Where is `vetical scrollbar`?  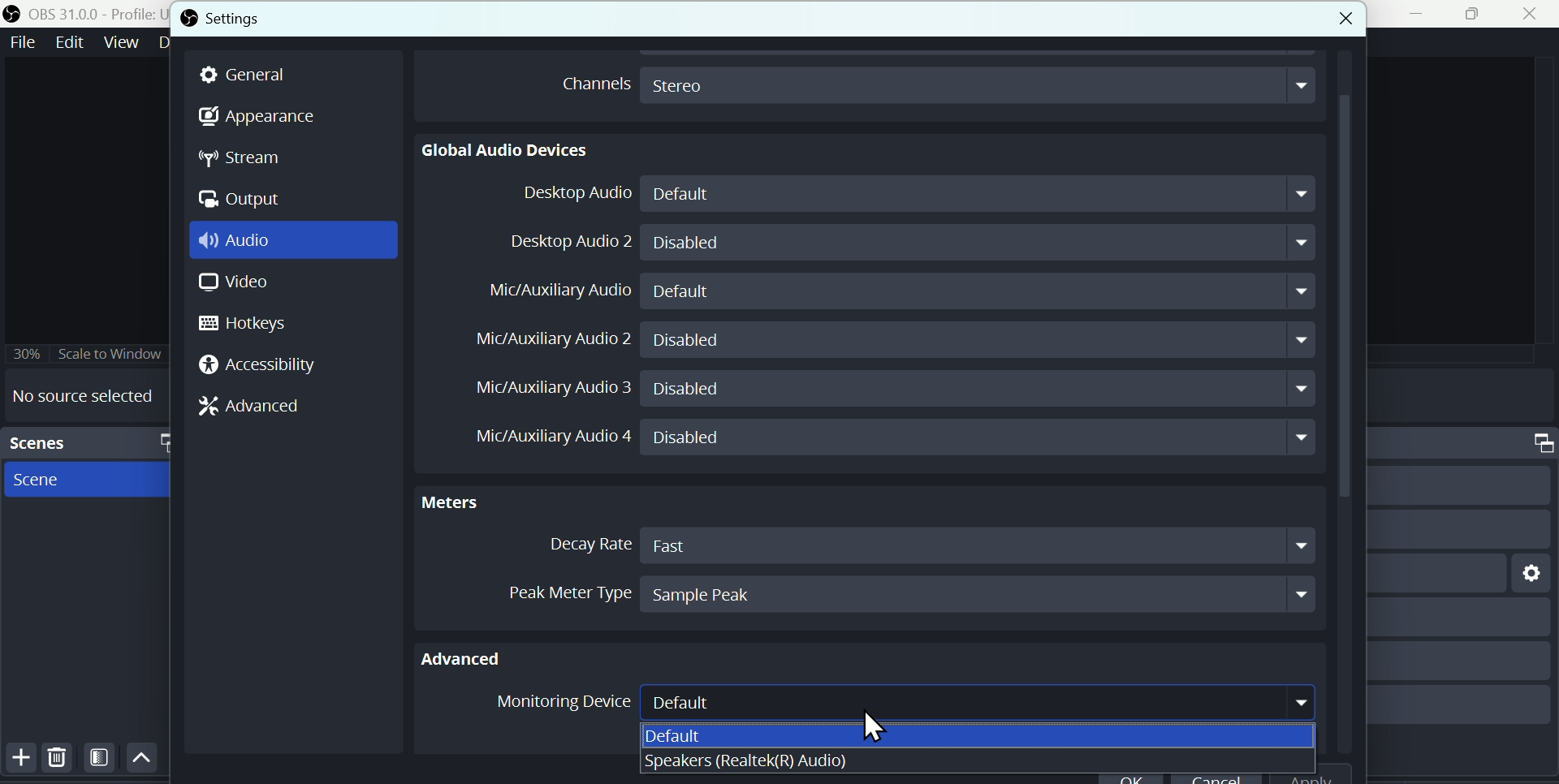
vetical scrollbar is located at coordinates (1343, 406).